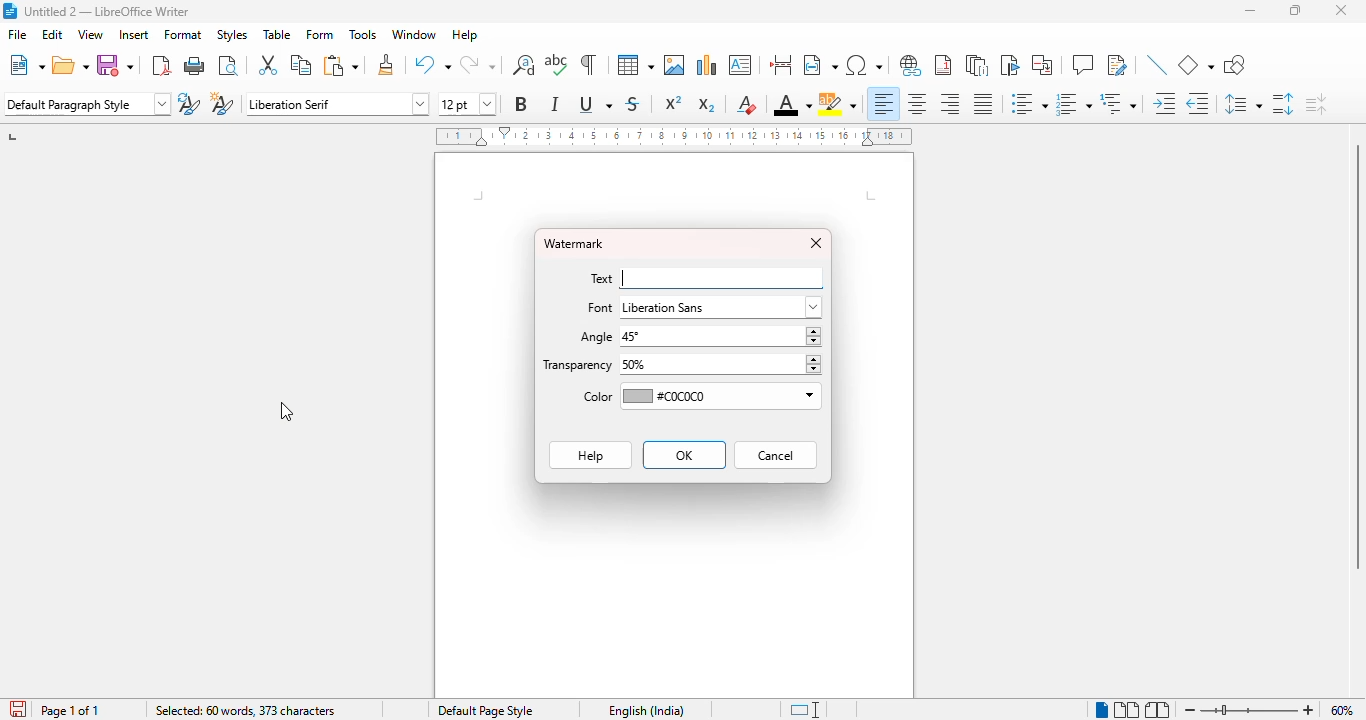 The image size is (1366, 720). Describe the element at coordinates (1282, 104) in the screenshot. I see `increase paragraph spacing` at that location.